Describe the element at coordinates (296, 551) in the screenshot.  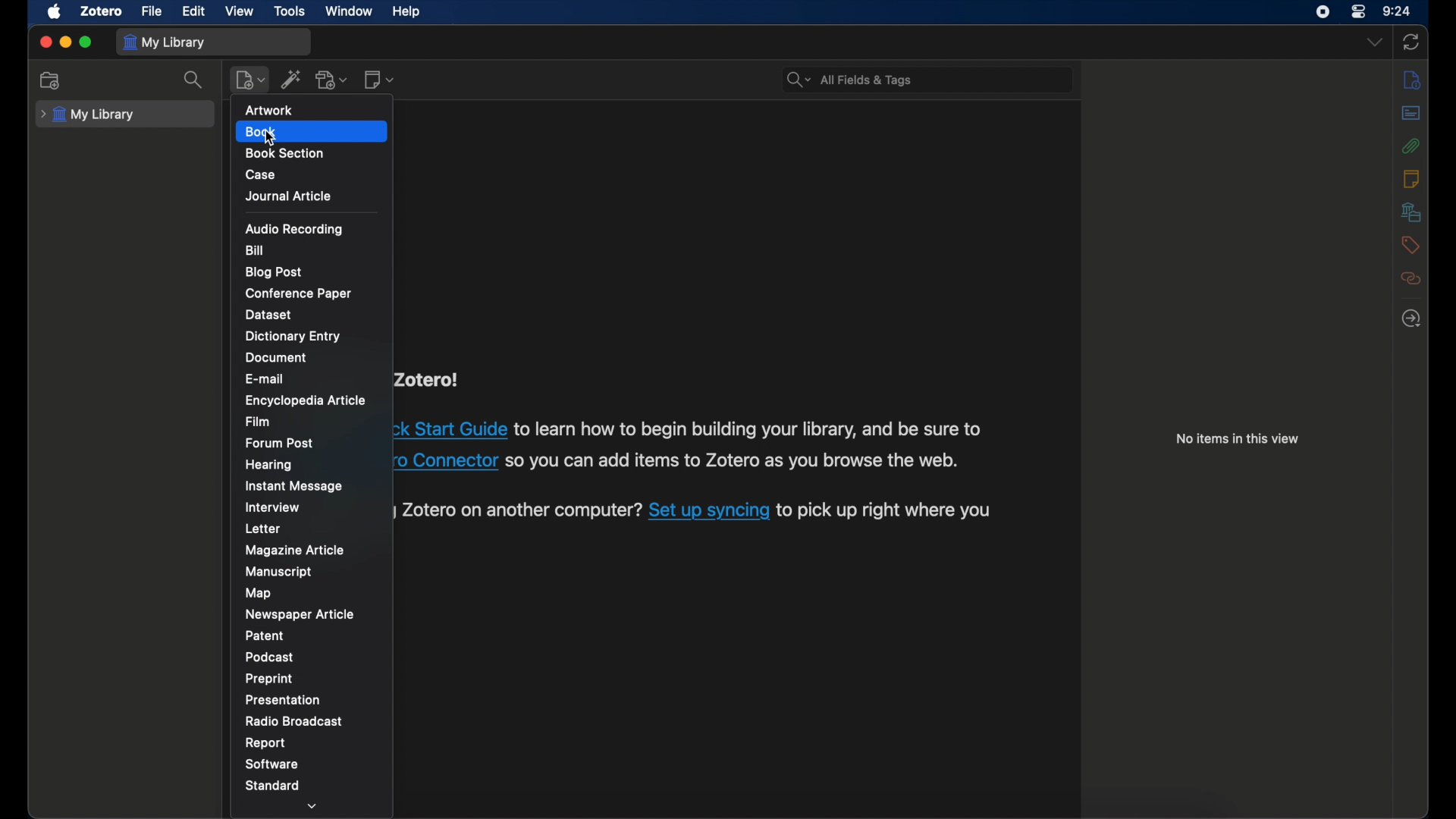
I see `magazine article` at that location.